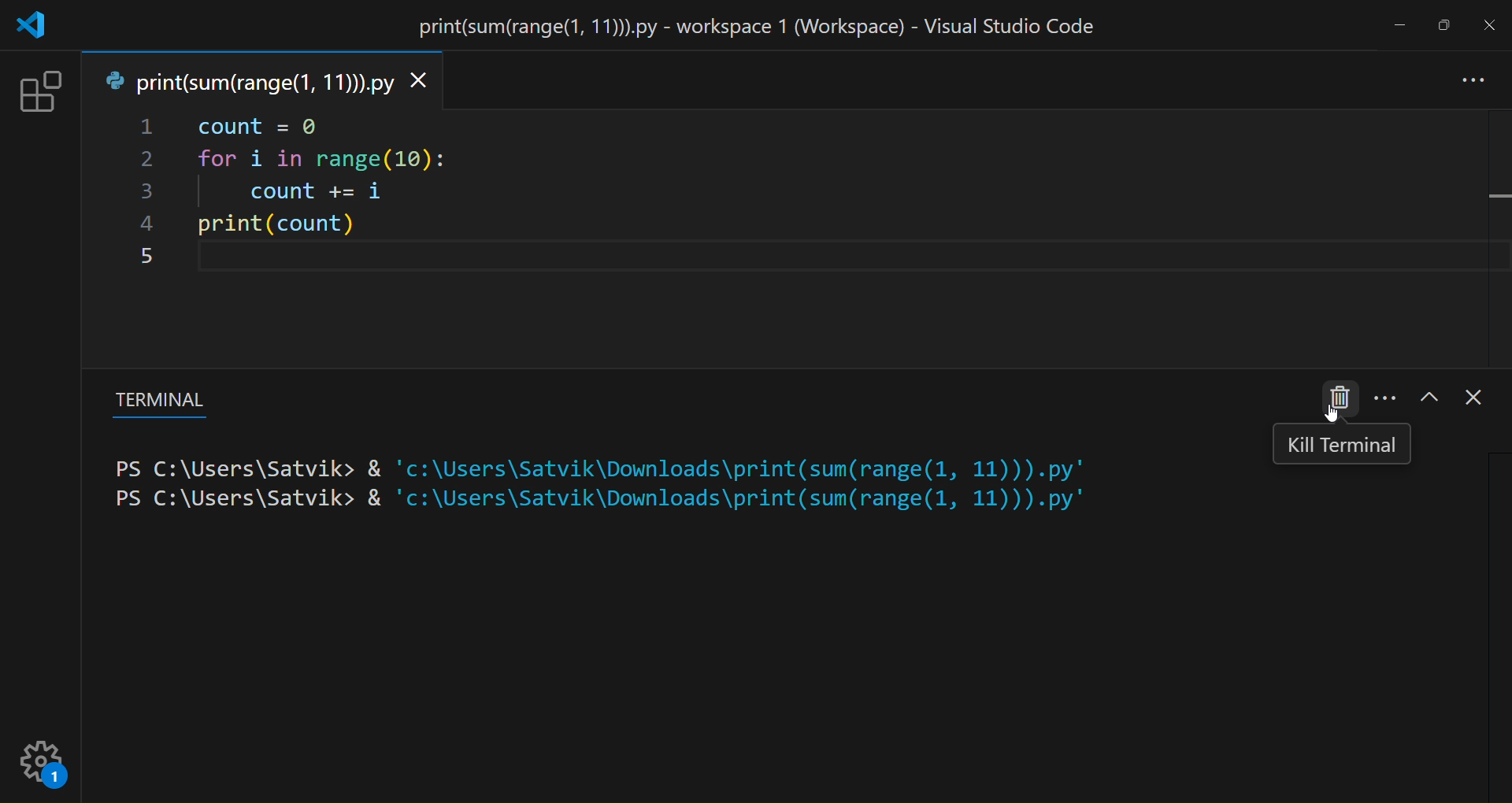 The width and height of the screenshot is (1512, 803). Describe the element at coordinates (1475, 82) in the screenshot. I see `more` at that location.